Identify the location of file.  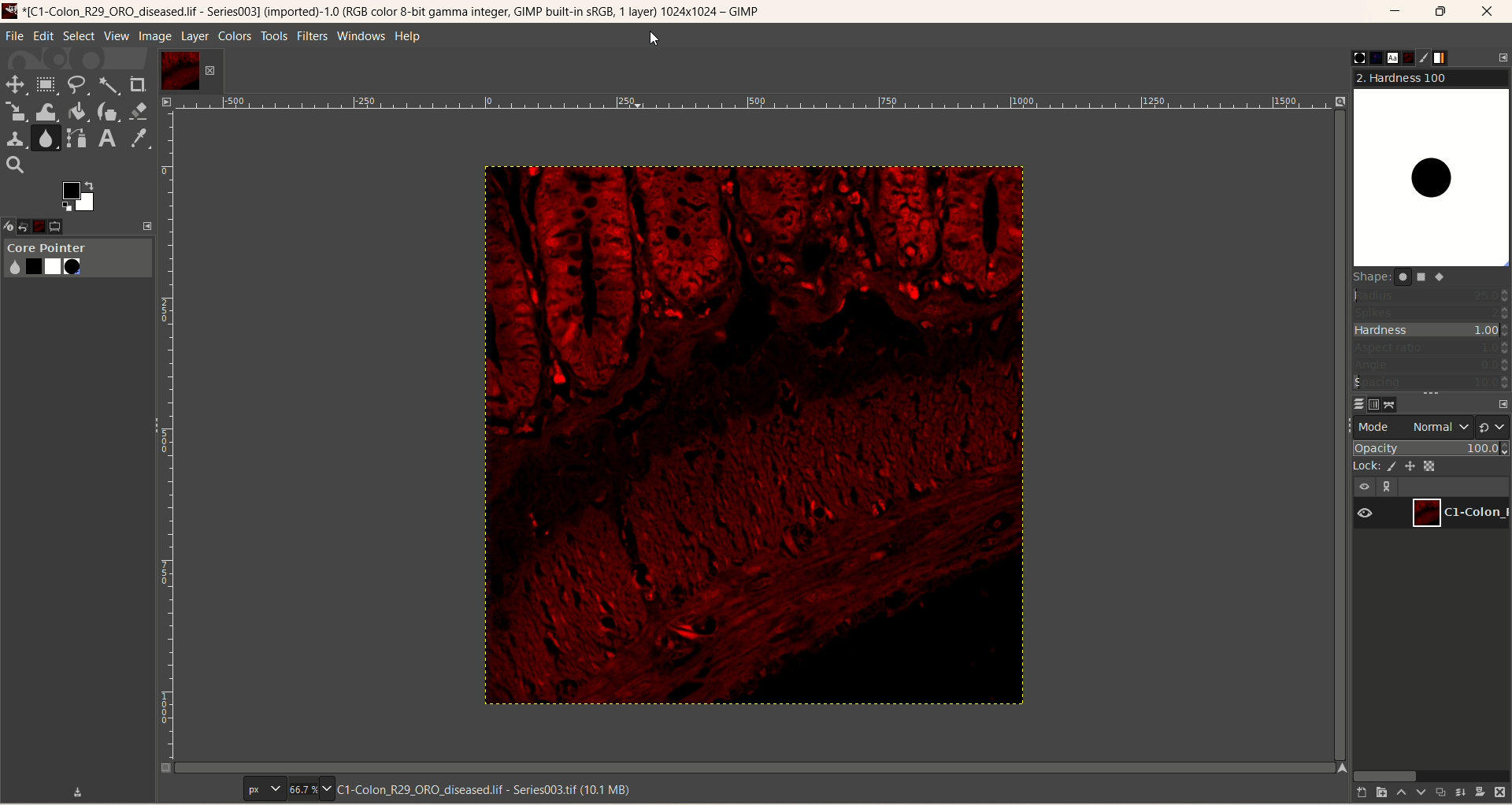
(15, 36).